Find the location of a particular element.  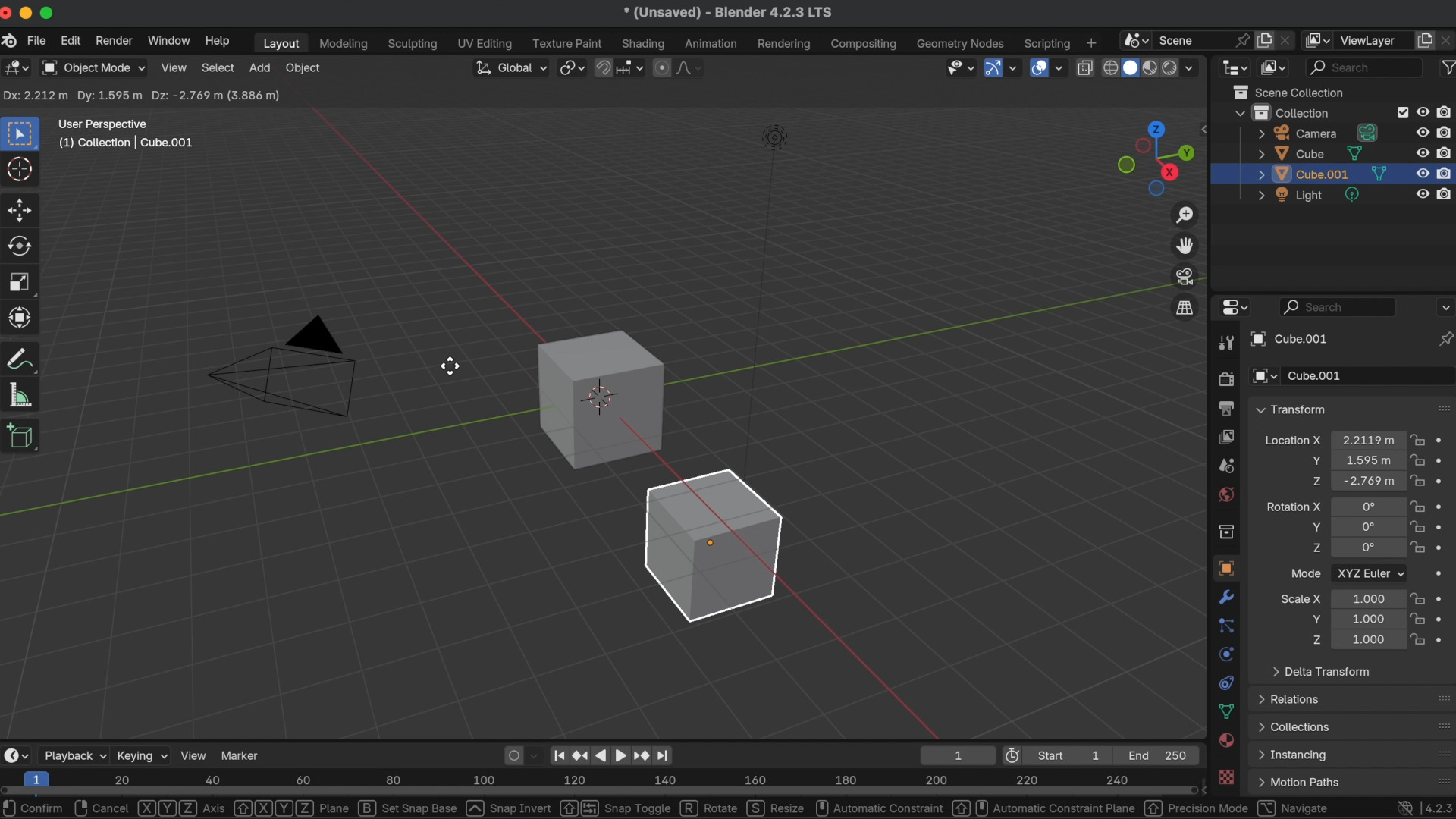

rotation Z is located at coordinates (1316, 550).